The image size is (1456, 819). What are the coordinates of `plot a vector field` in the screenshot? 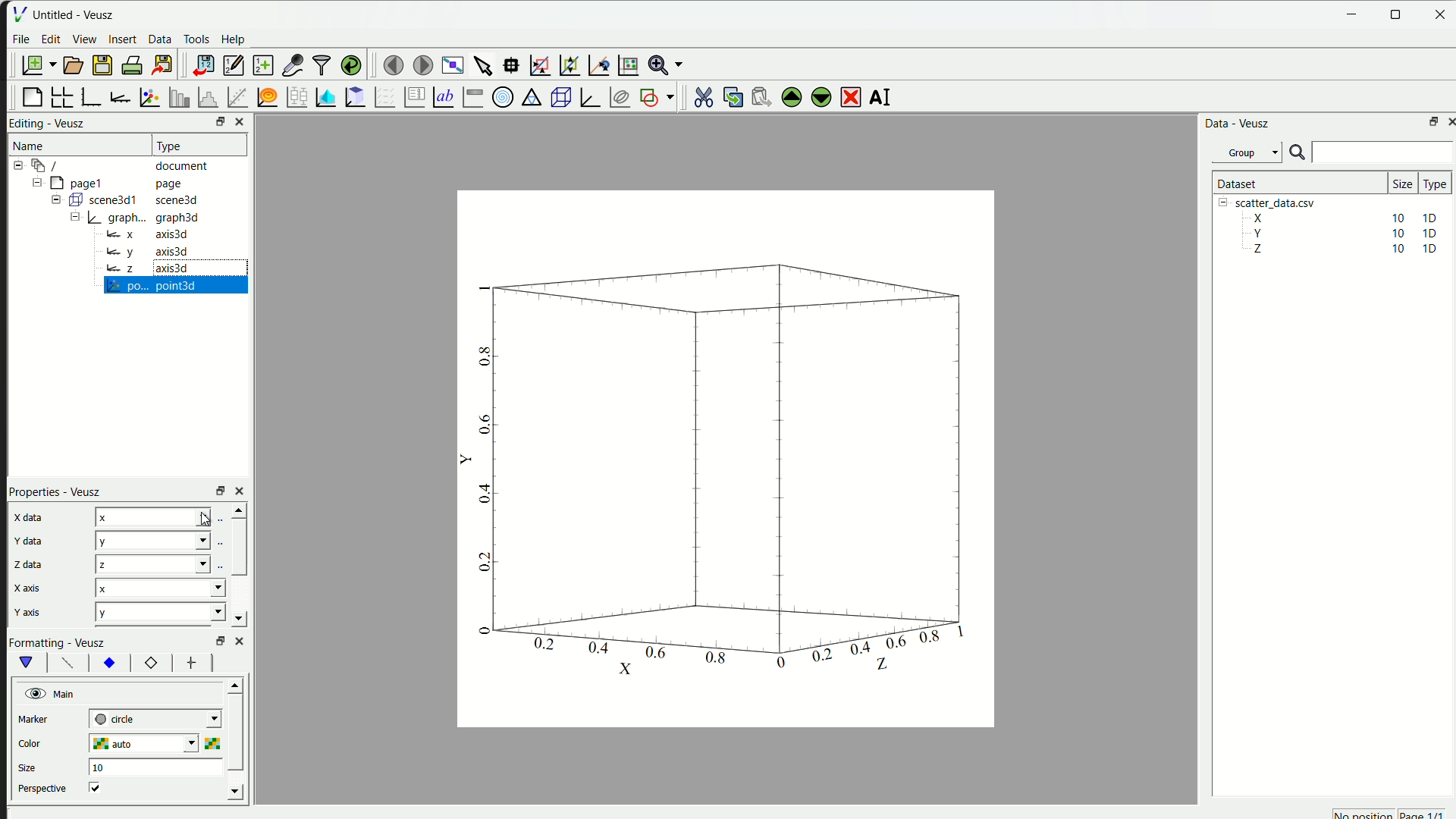 It's located at (382, 97).